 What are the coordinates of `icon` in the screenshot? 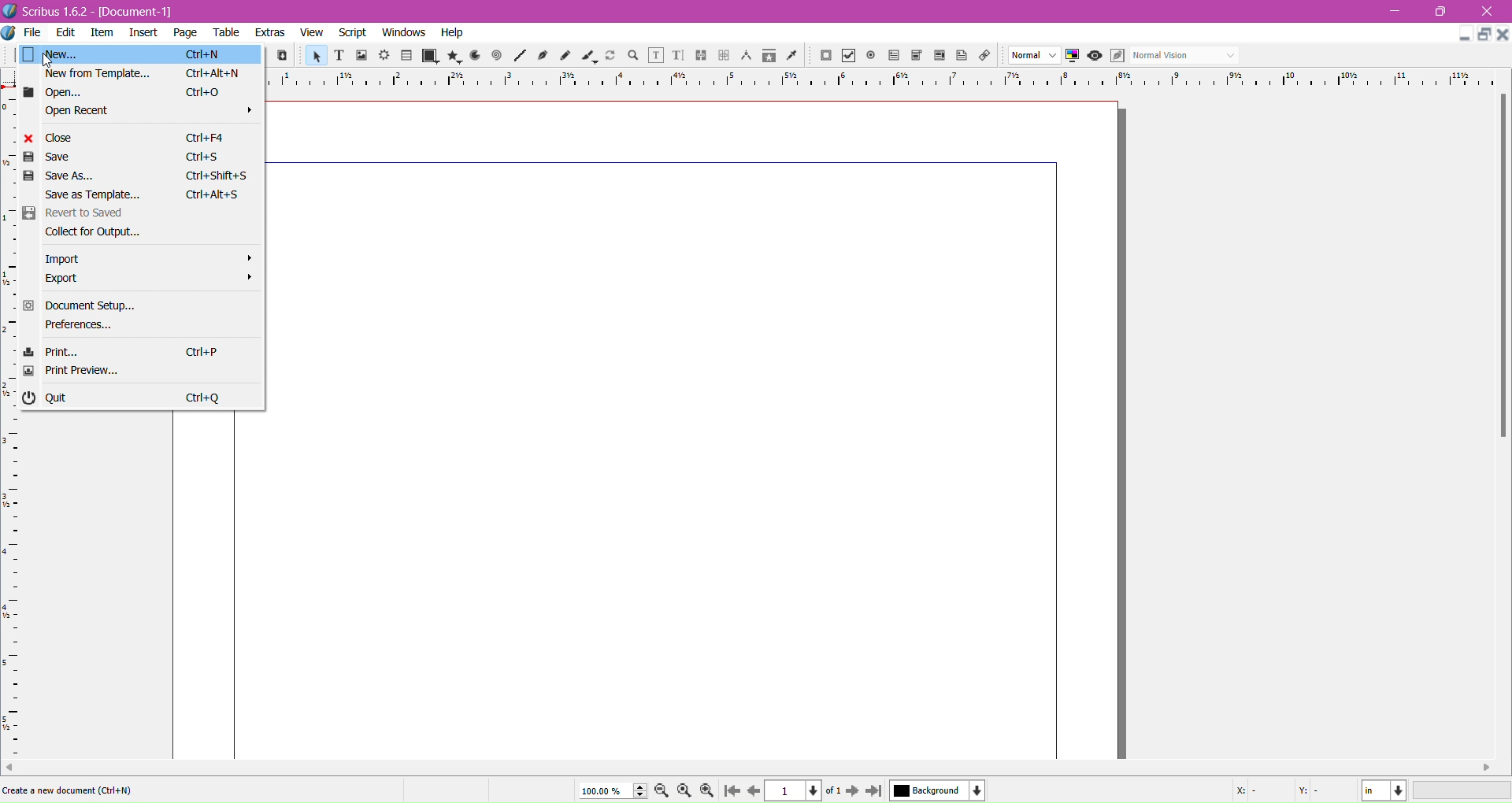 It's located at (769, 58).